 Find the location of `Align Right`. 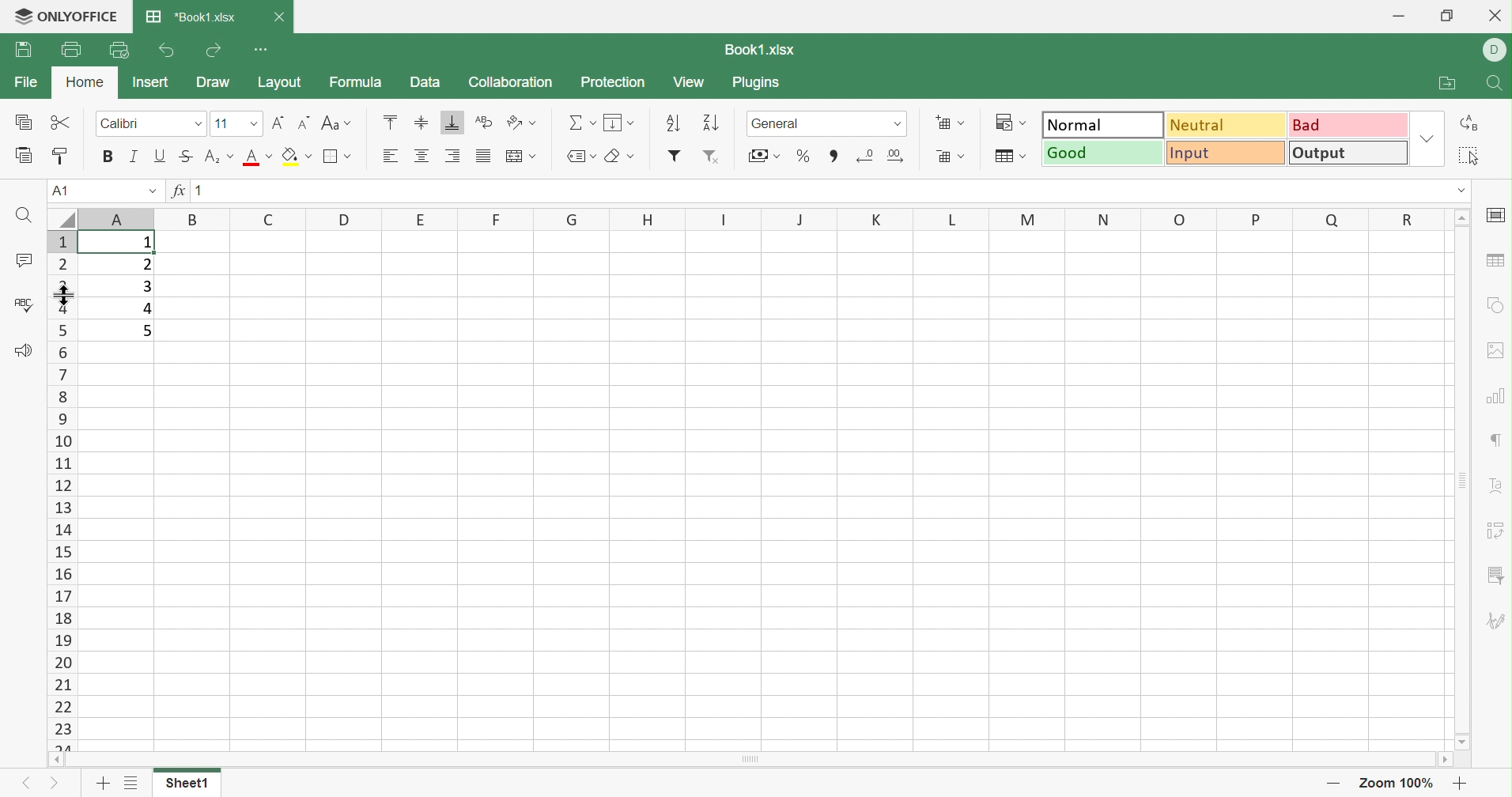

Align Right is located at coordinates (455, 153).